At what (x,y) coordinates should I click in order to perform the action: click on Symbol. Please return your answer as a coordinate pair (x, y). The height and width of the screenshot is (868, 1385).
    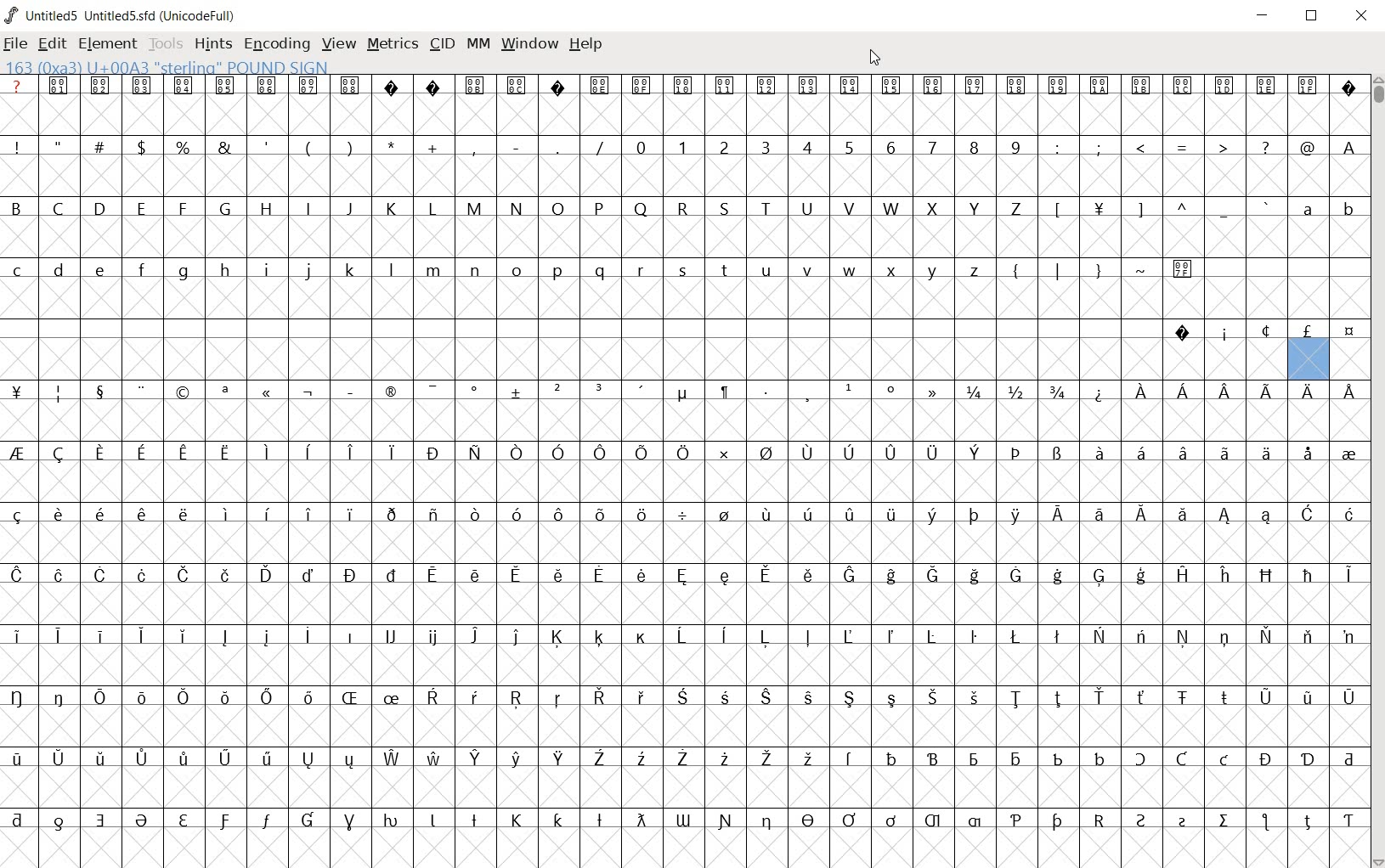
    Looking at the image, I should click on (59, 573).